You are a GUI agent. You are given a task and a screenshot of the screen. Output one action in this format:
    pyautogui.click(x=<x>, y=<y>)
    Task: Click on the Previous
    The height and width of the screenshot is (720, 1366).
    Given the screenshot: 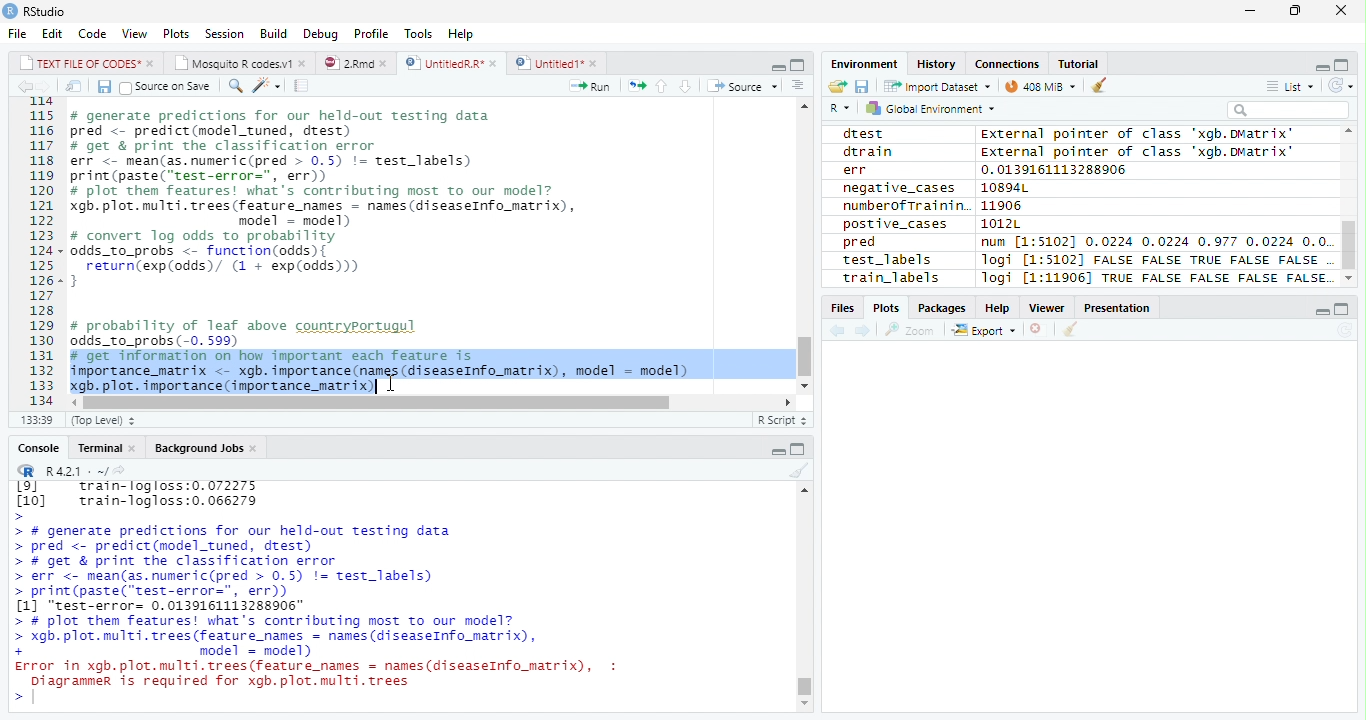 What is the action you would take?
    pyautogui.click(x=23, y=87)
    